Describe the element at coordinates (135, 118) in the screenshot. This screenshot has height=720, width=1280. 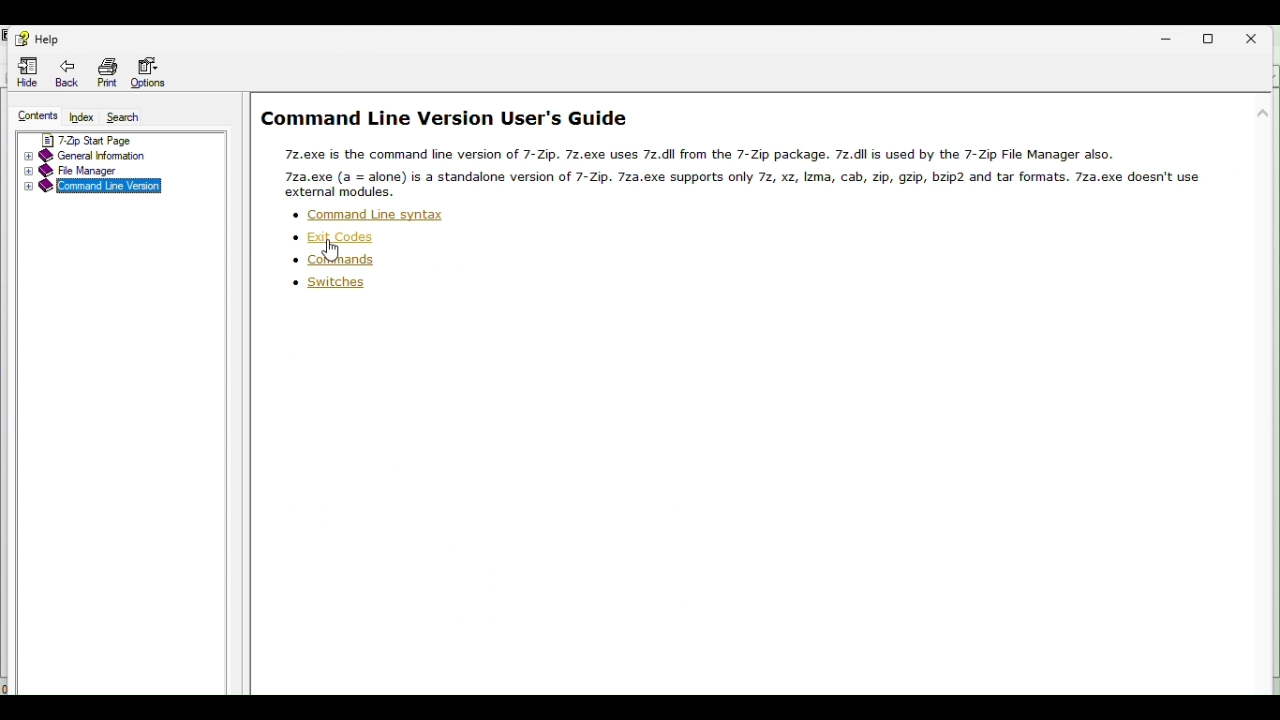
I see `Search` at that location.